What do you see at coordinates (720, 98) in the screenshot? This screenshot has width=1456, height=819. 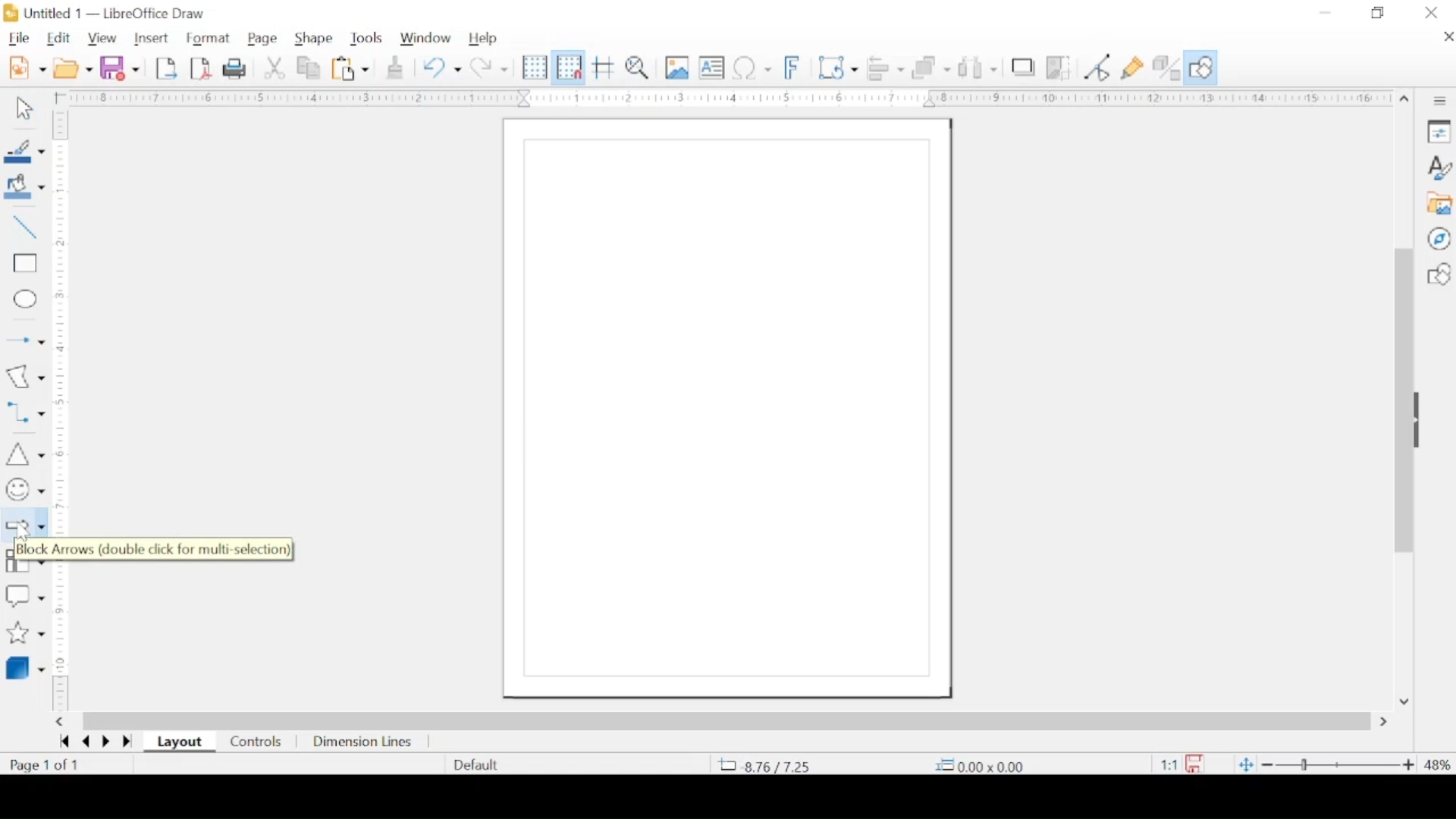 I see `margin` at bounding box center [720, 98].